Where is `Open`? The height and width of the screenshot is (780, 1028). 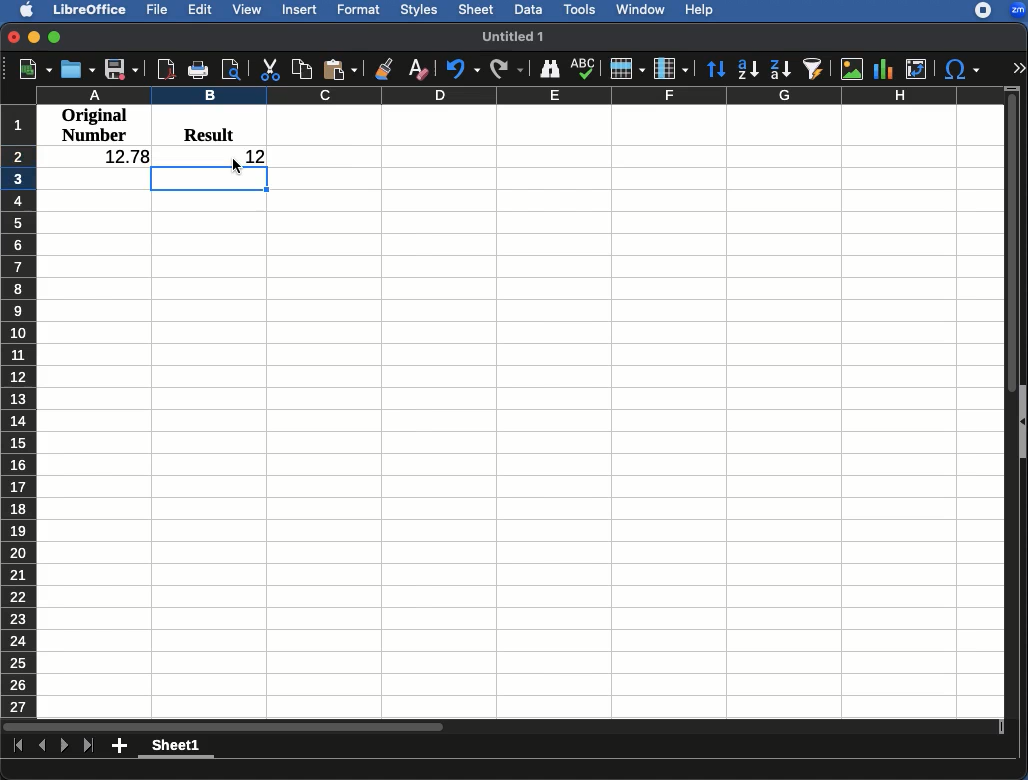 Open is located at coordinates (78, 69).